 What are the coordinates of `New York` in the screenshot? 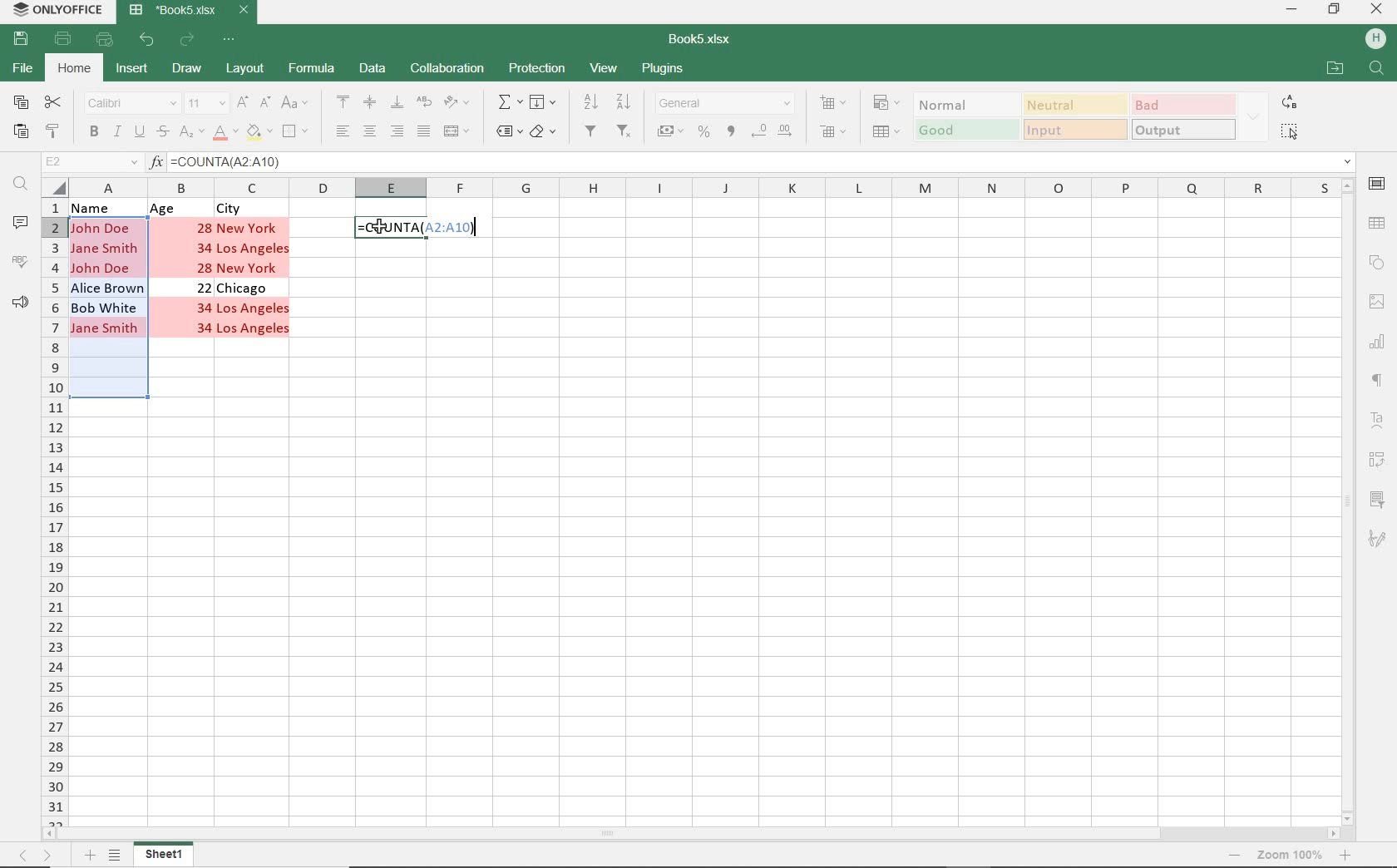 It's located at (249, 227).